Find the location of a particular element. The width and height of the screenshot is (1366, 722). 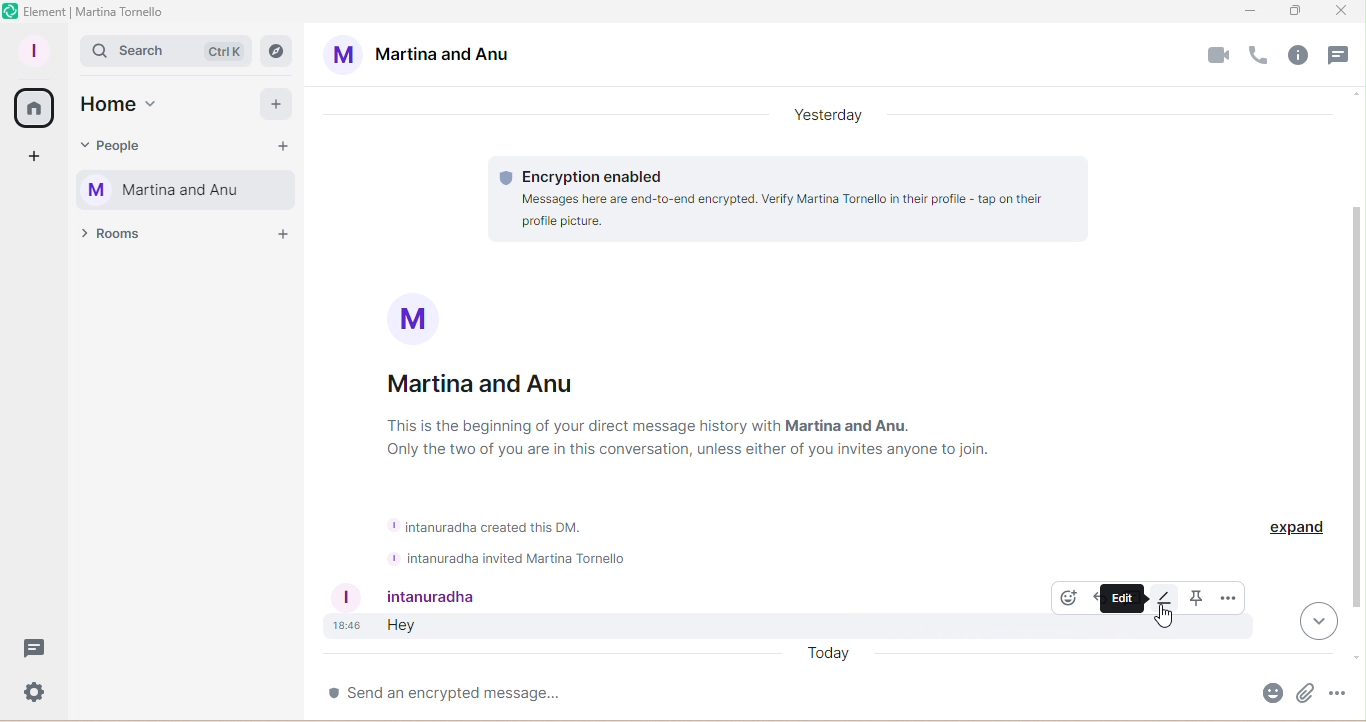

Profile  is located at coordinates (38, 47).